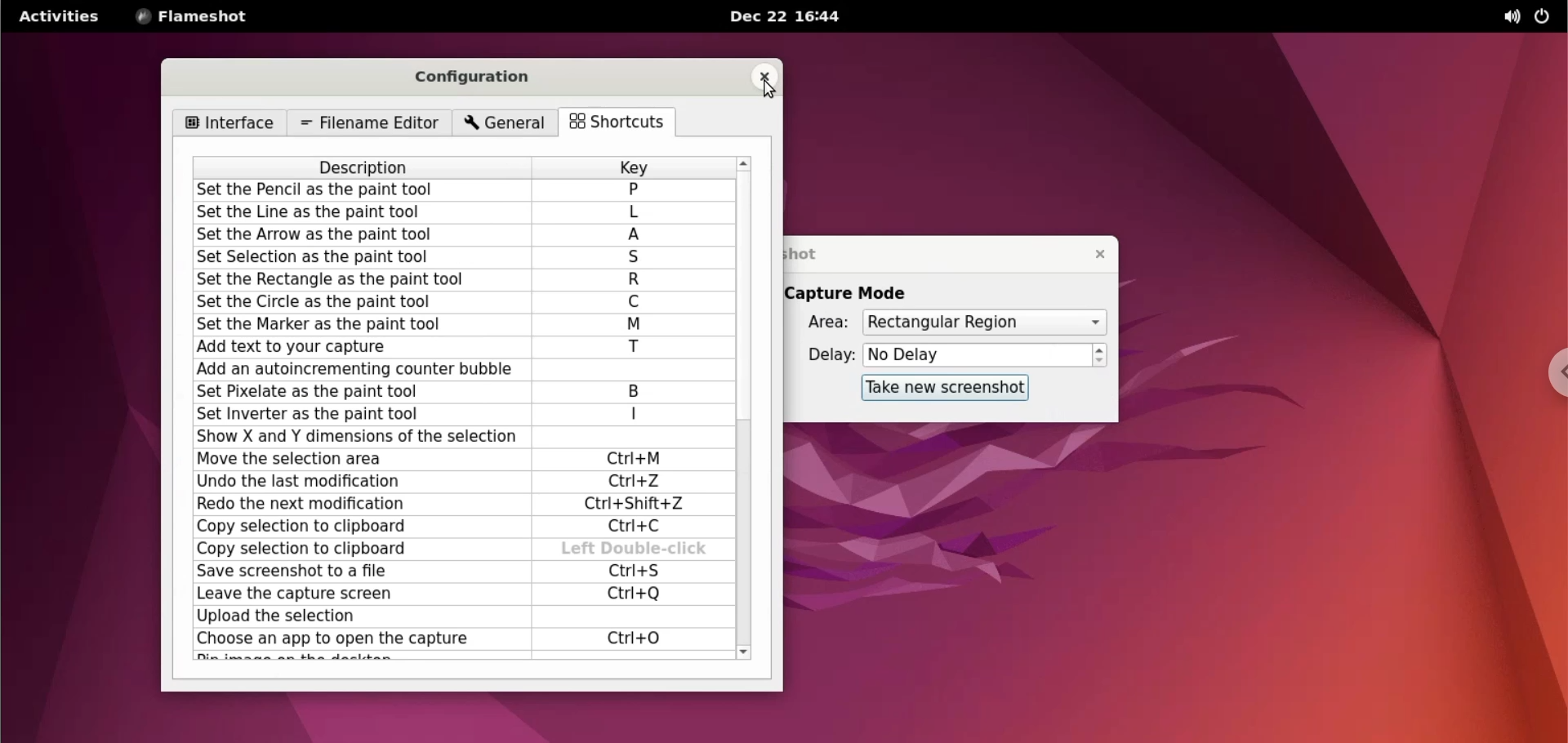  What do you see at coordinates (635, 349) in the screenshot?
I see `T ` at bounding box center [635, 349].